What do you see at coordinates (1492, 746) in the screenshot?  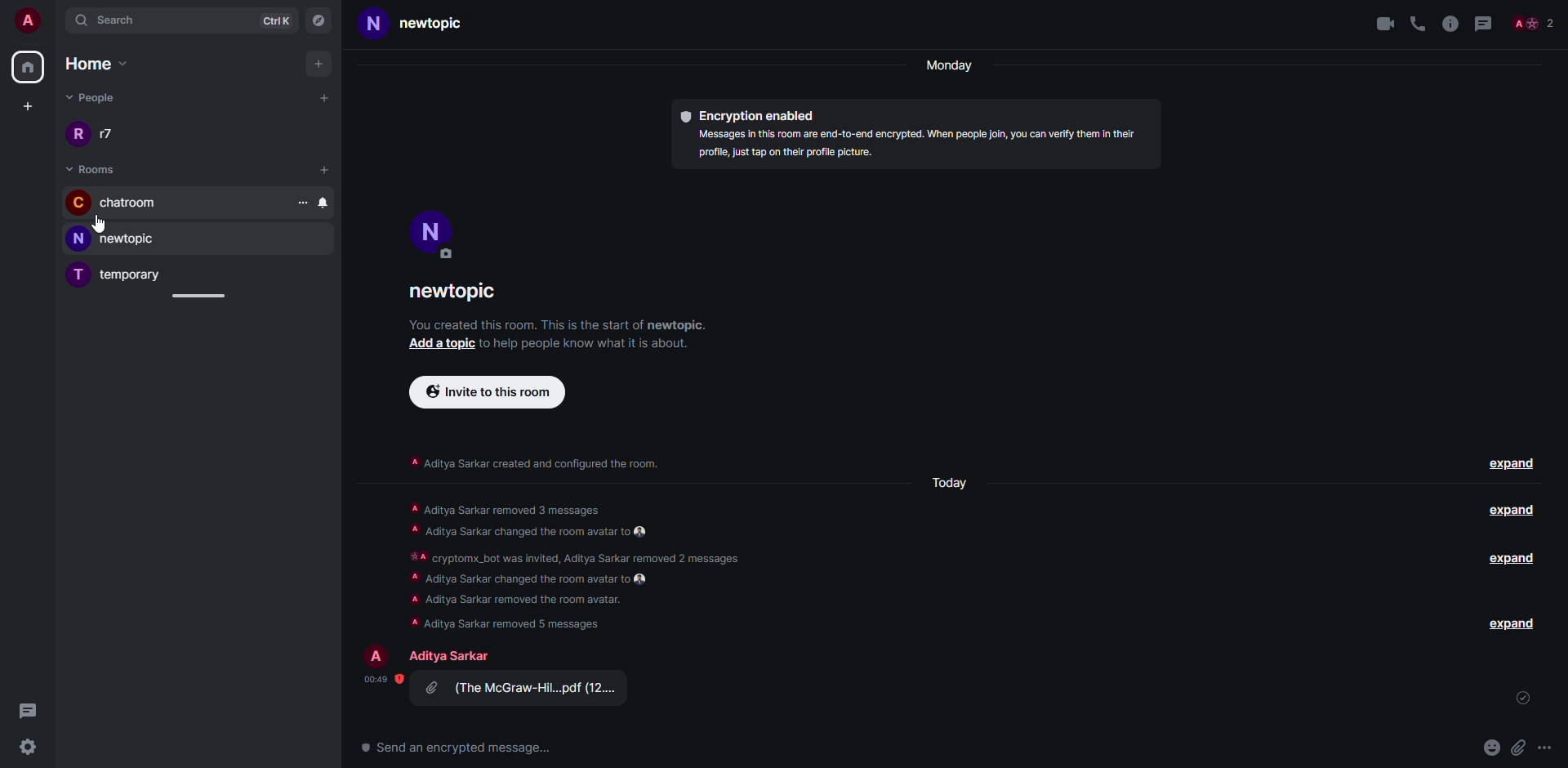 I see `emoji` at bounding box center [1492, 746].